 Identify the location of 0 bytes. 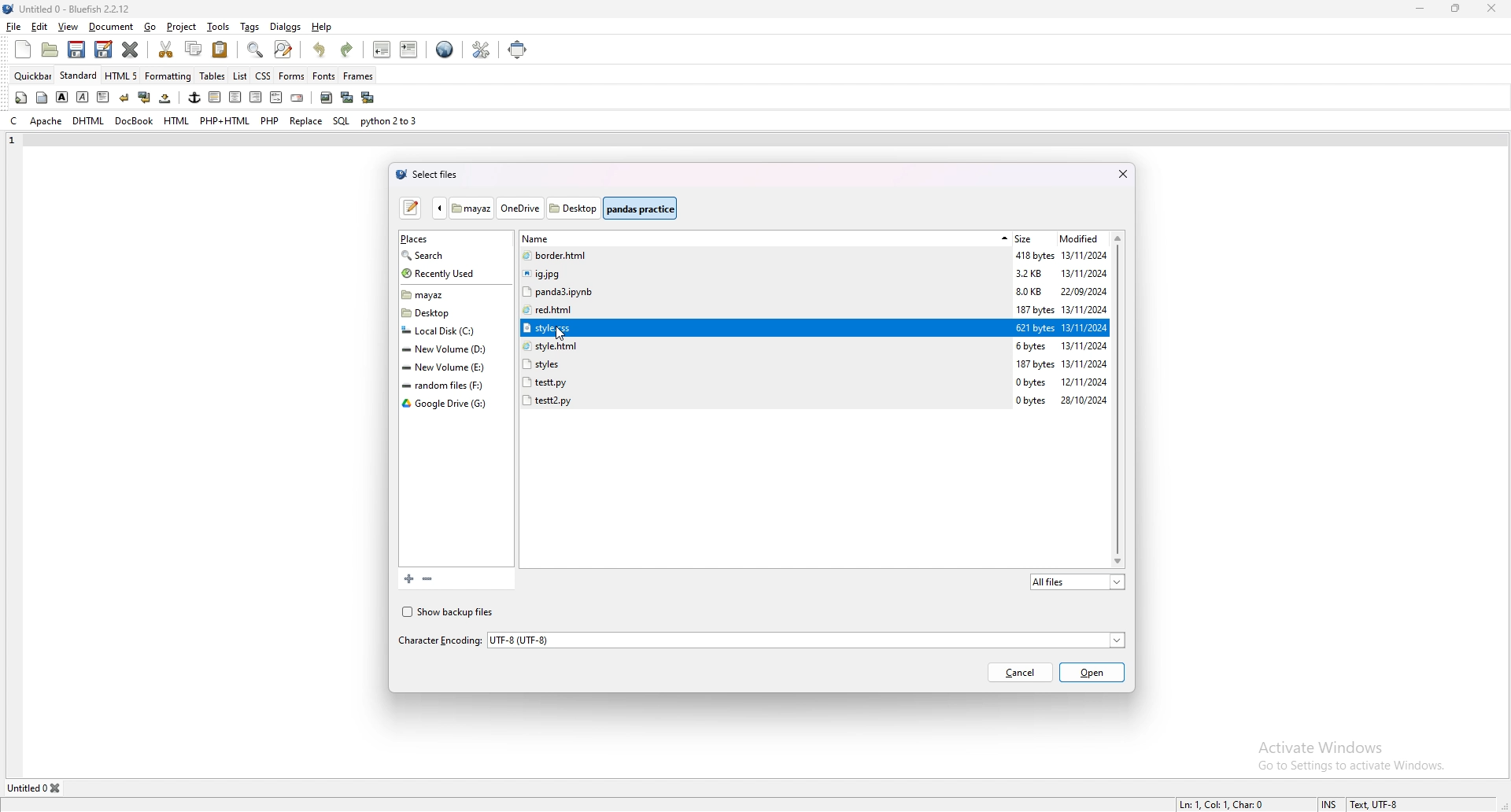
(1033, 400).